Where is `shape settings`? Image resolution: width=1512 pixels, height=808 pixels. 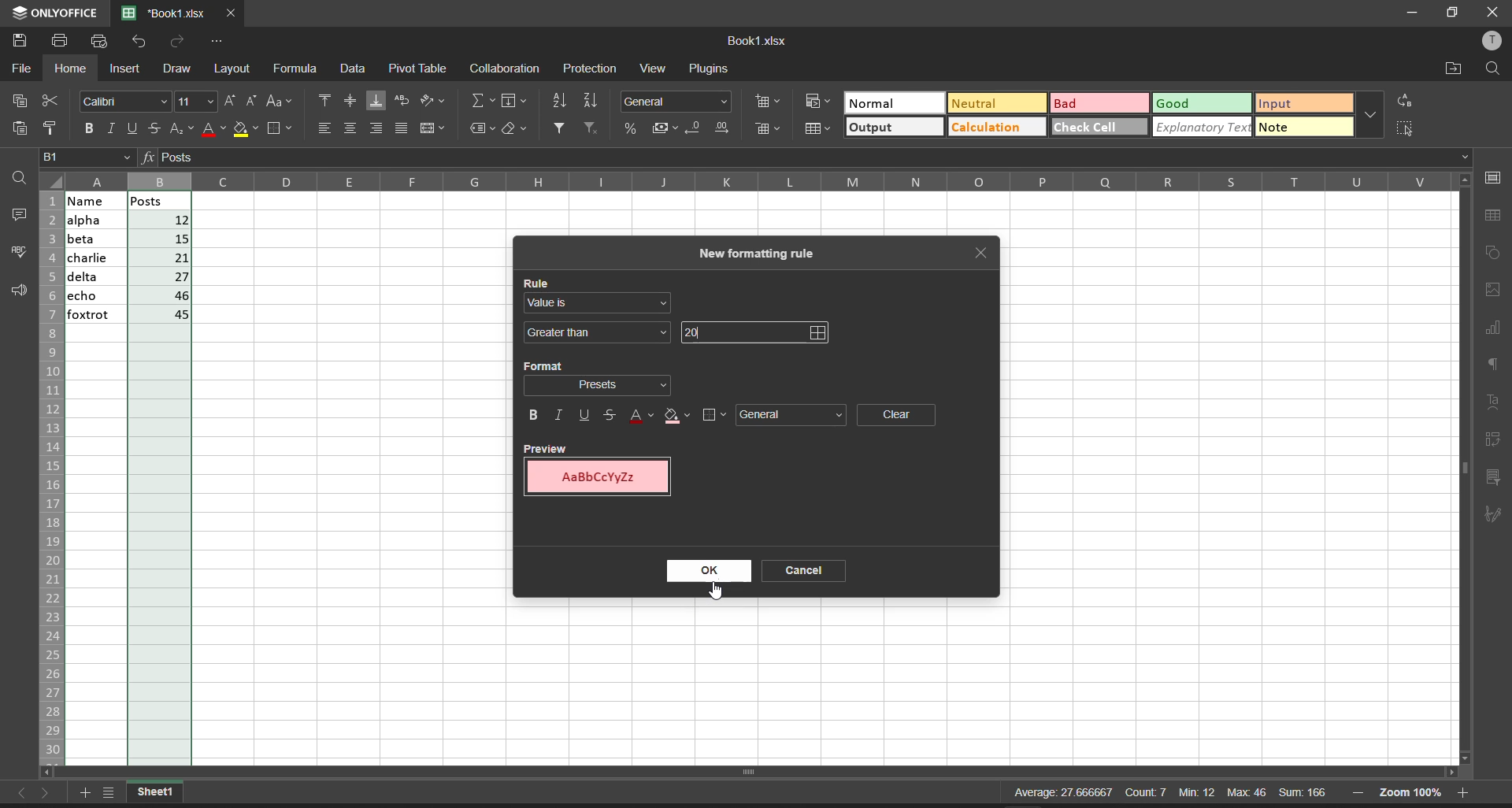
shape settings is located at coordinates (1499, 251).